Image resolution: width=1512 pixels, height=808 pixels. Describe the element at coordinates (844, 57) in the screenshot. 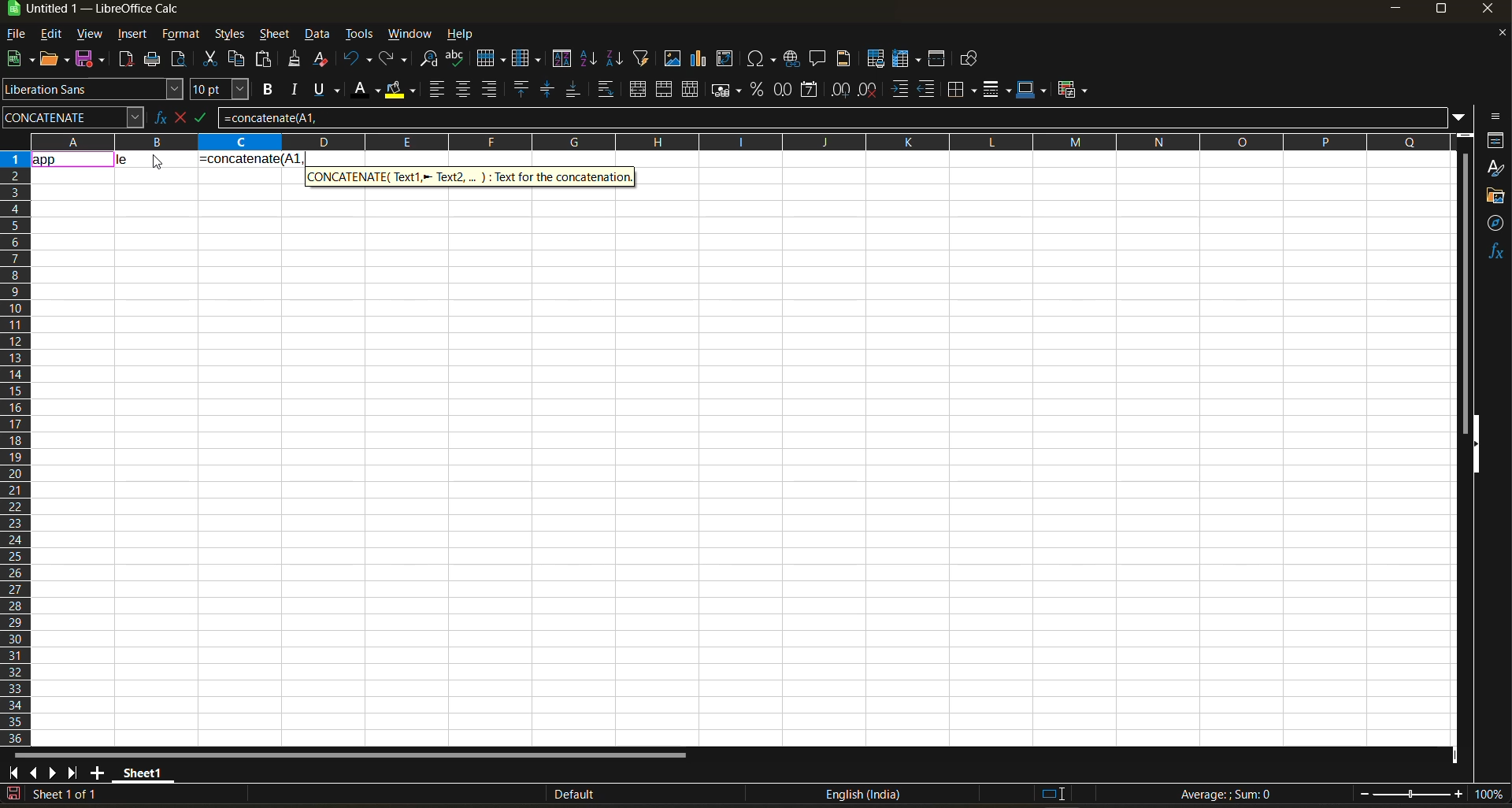

I see `headers and footers` at that location.